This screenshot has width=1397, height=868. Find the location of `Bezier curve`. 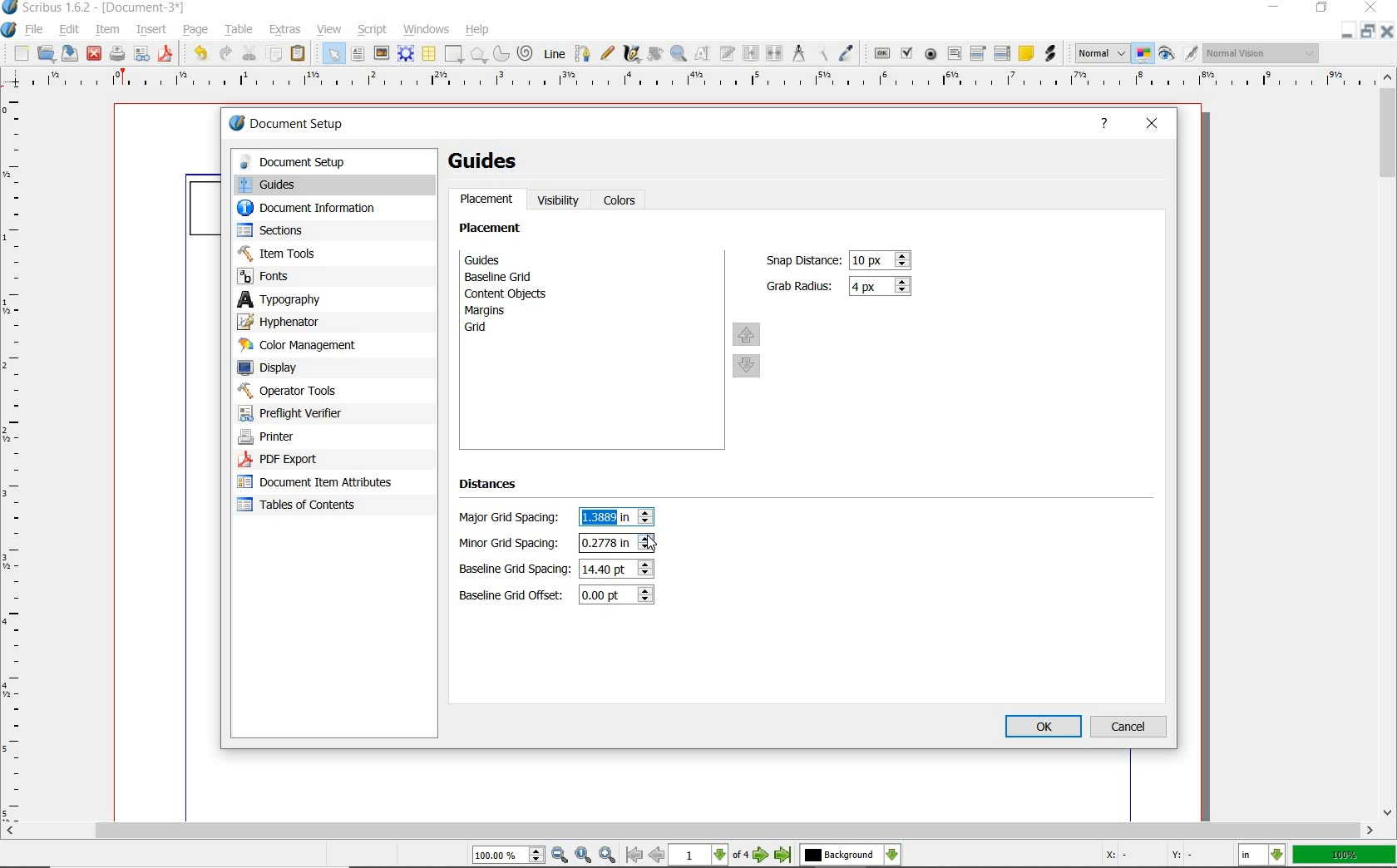

Bezier curve is located at coordinates (582, 53).